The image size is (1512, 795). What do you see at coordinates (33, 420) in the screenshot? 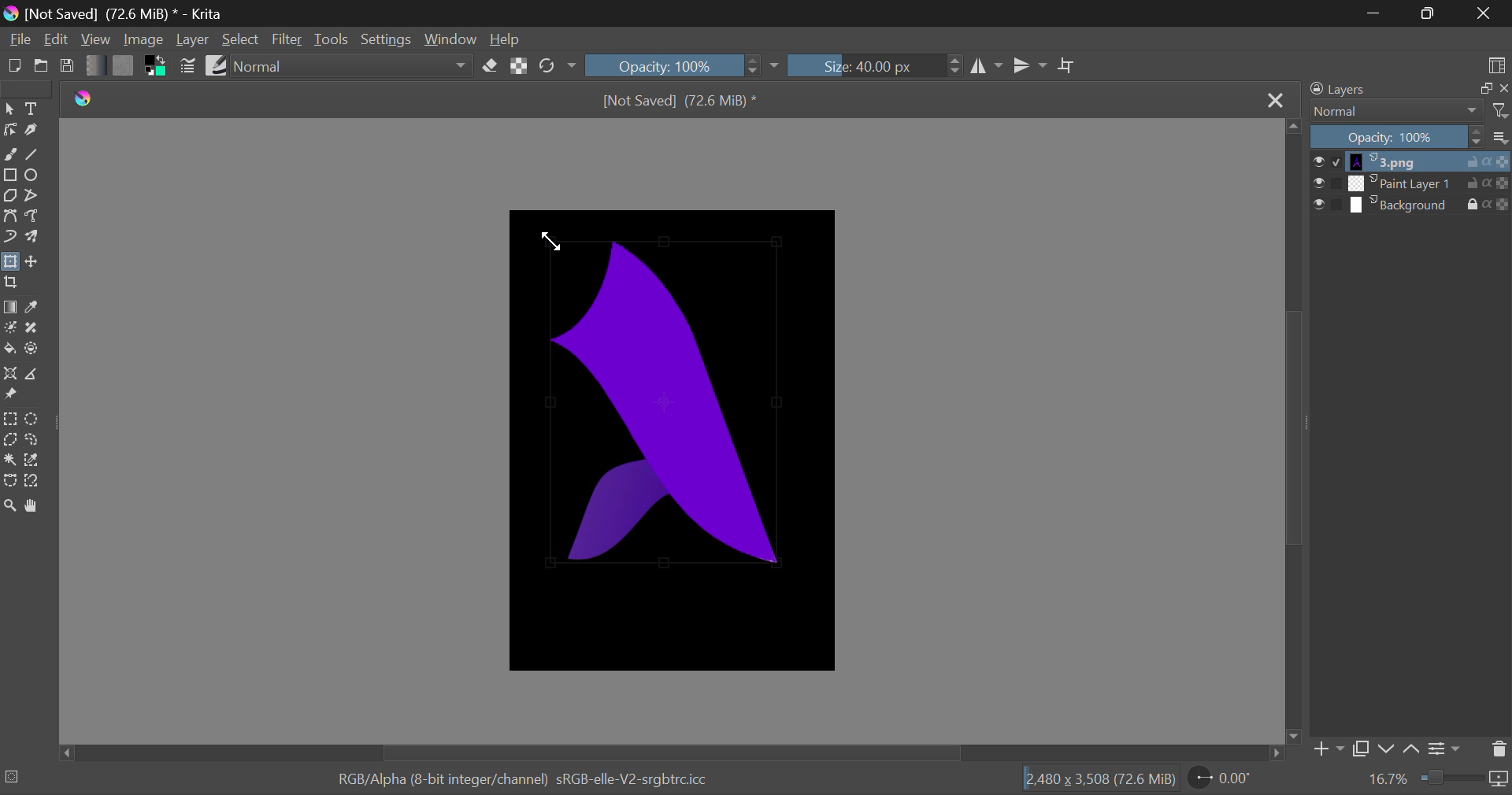
I see `Circular Selection` at bounding box center [33, 420].